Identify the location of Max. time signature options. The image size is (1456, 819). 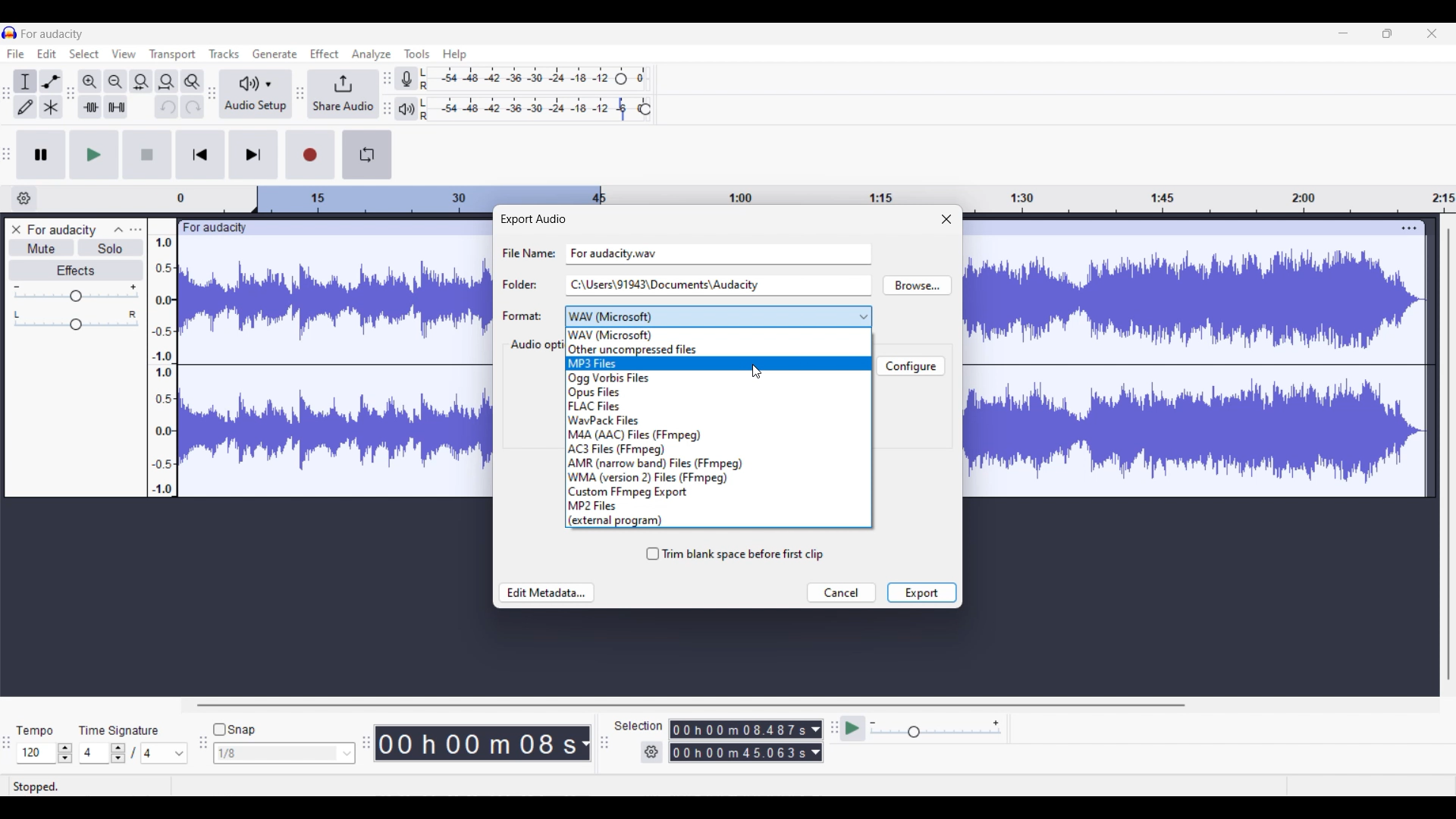
(165, 753).